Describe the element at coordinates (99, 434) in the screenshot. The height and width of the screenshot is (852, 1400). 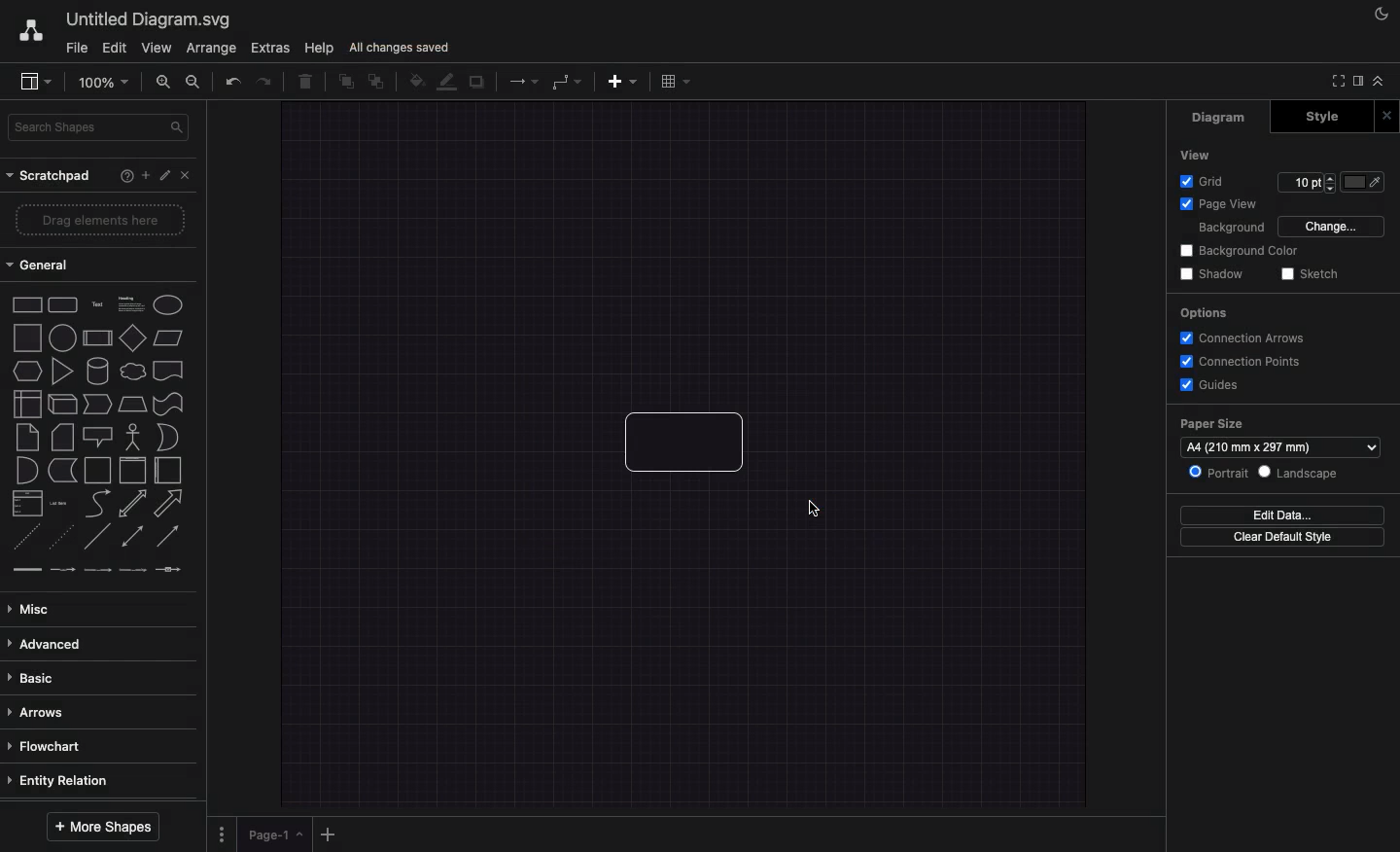
I see `Shapes` at that location.